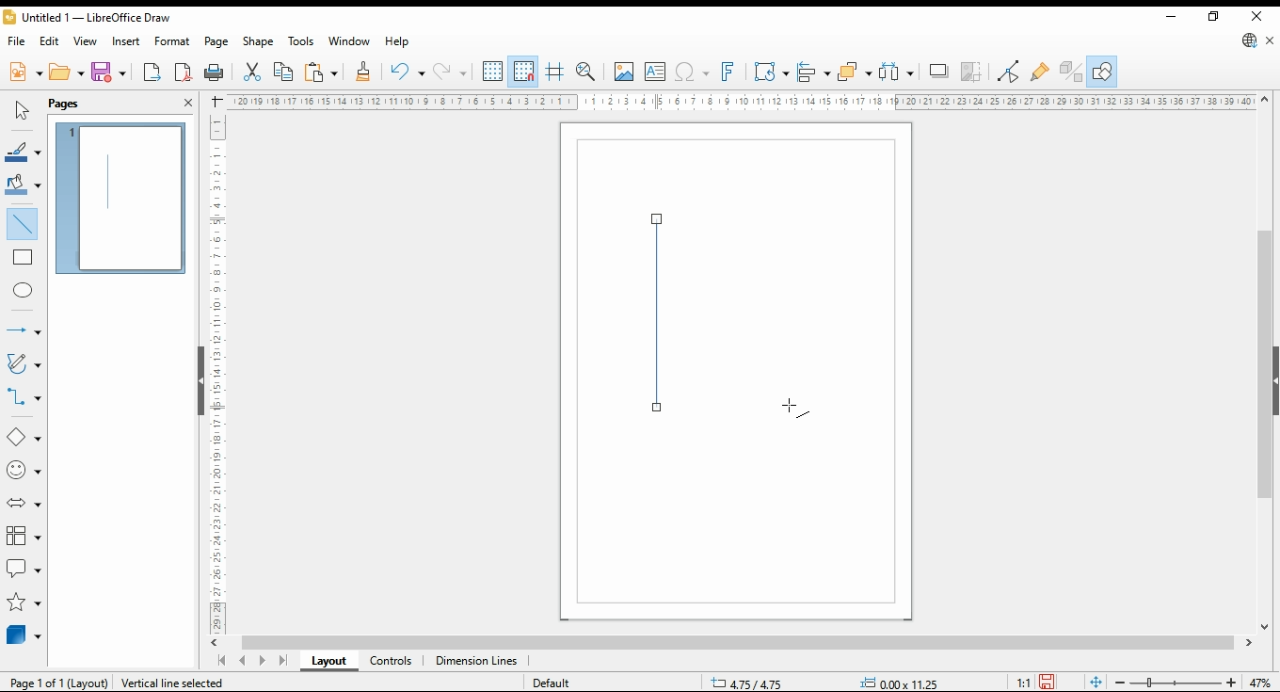 This screenshot has height=692, width=1280. I want to click on block arrows, so click(25, 504).